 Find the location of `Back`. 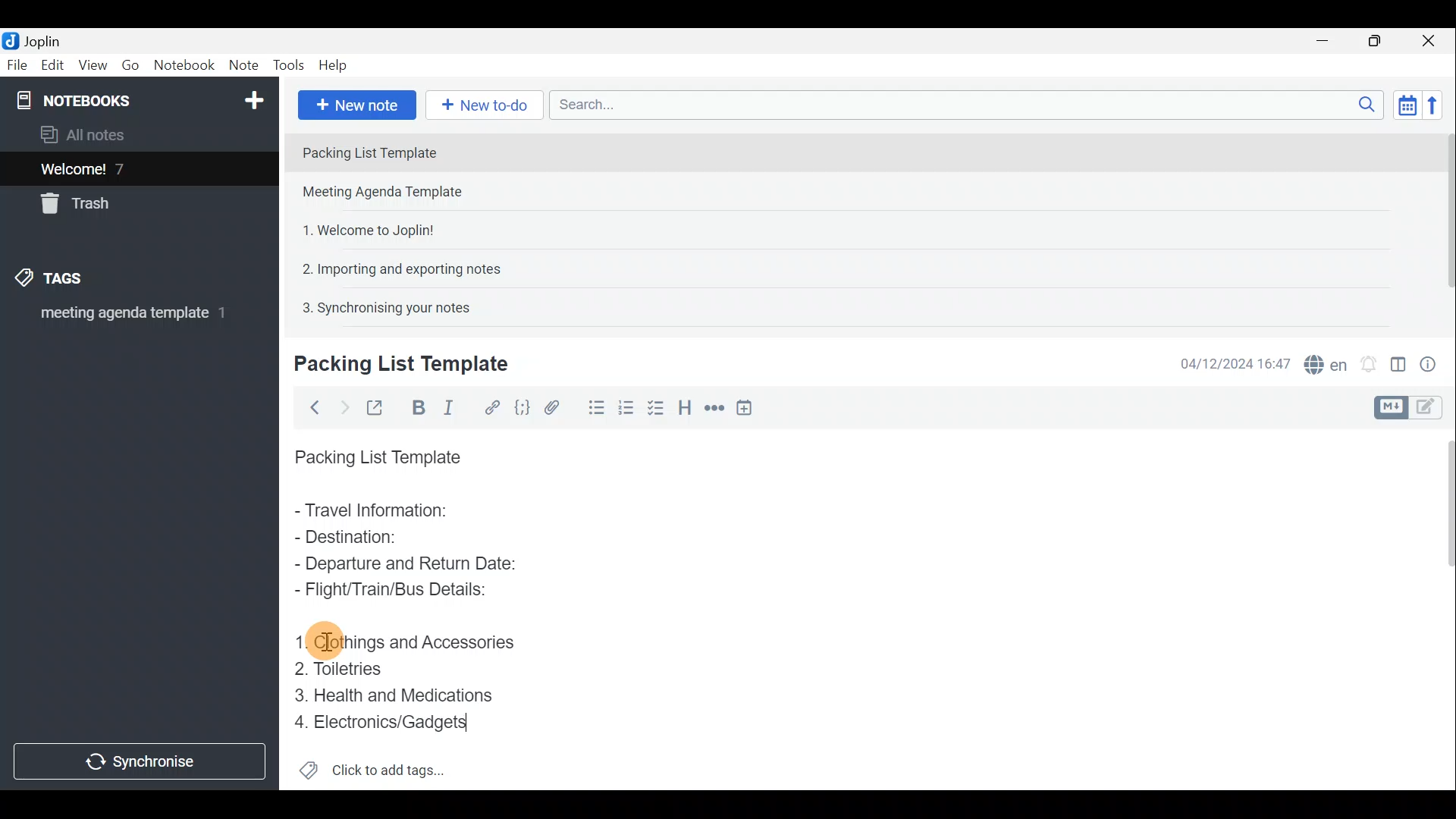

Back is located at coordinates (312, 407).